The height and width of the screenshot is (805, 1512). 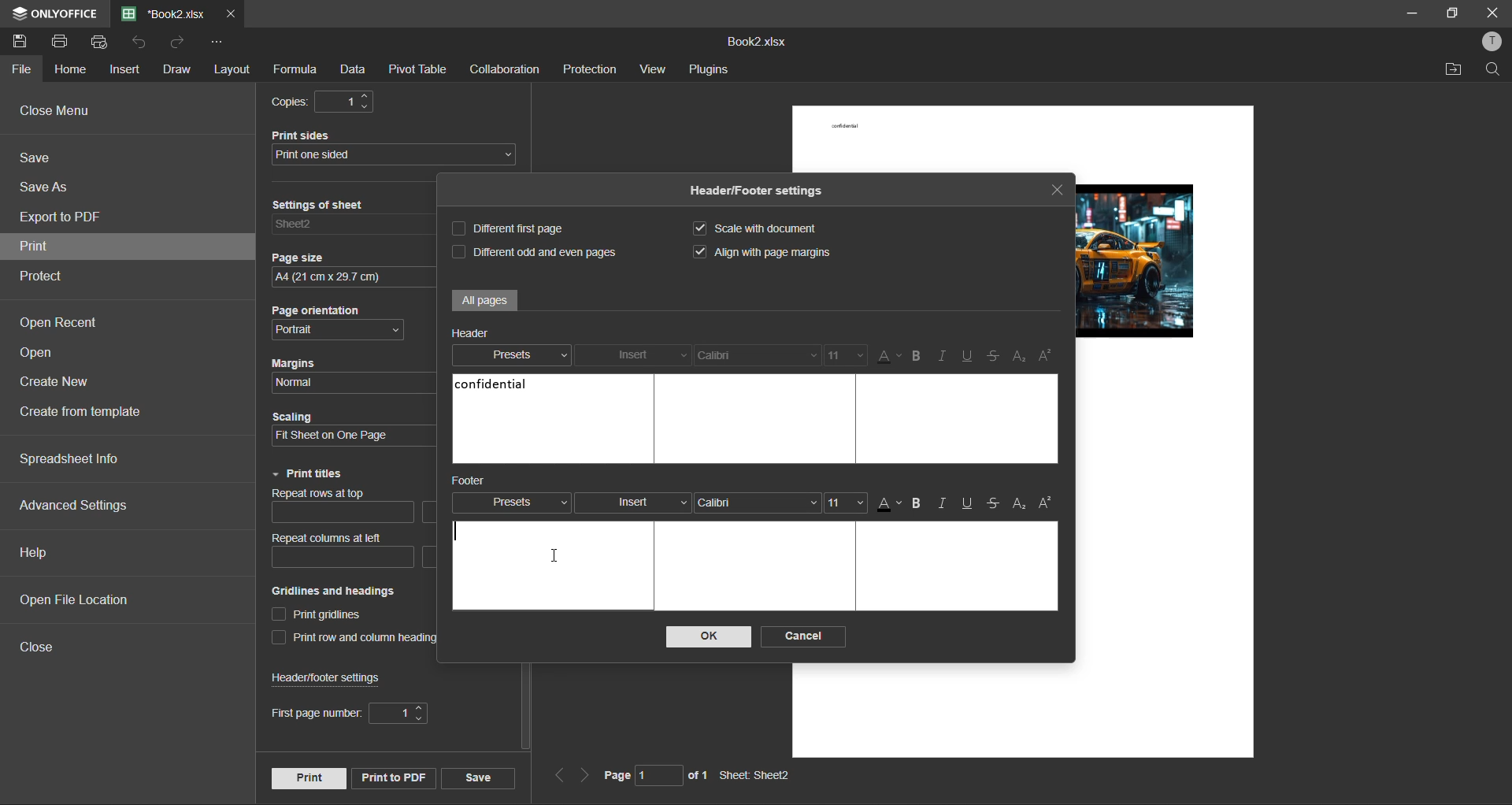 What do you see at coordinates (60, 110) in the screenshot?
I see `close menu` at bounding box center [60, 110].